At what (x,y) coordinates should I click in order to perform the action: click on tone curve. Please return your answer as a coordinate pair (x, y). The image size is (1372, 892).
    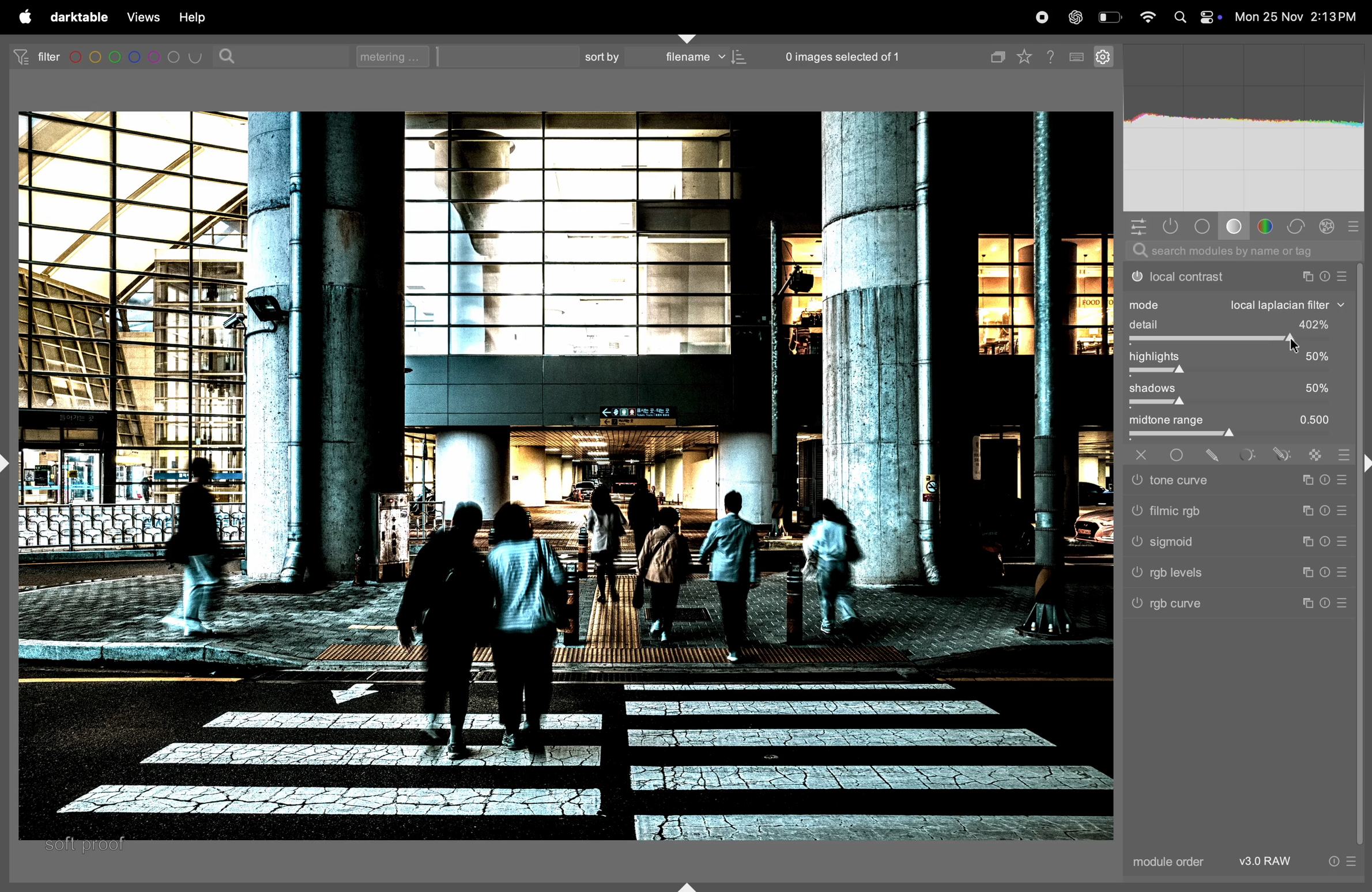
    Looking at the image, I should click on (1229, 481).